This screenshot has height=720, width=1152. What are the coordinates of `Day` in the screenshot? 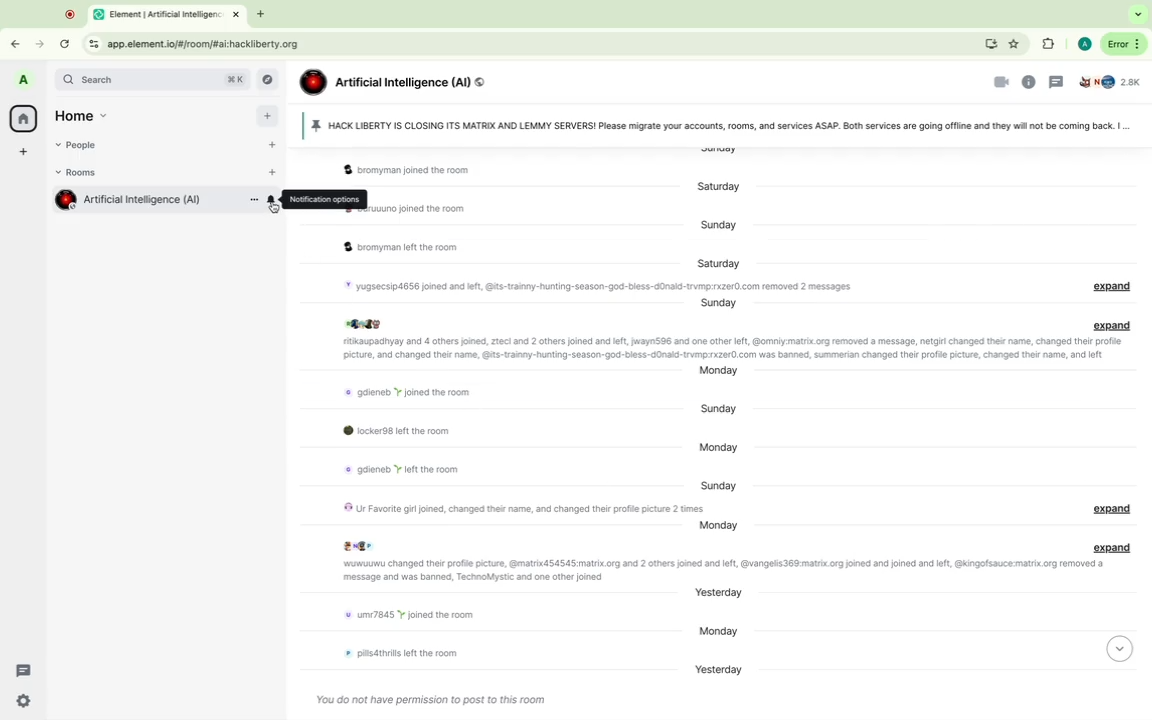 It's located at (721, 261).